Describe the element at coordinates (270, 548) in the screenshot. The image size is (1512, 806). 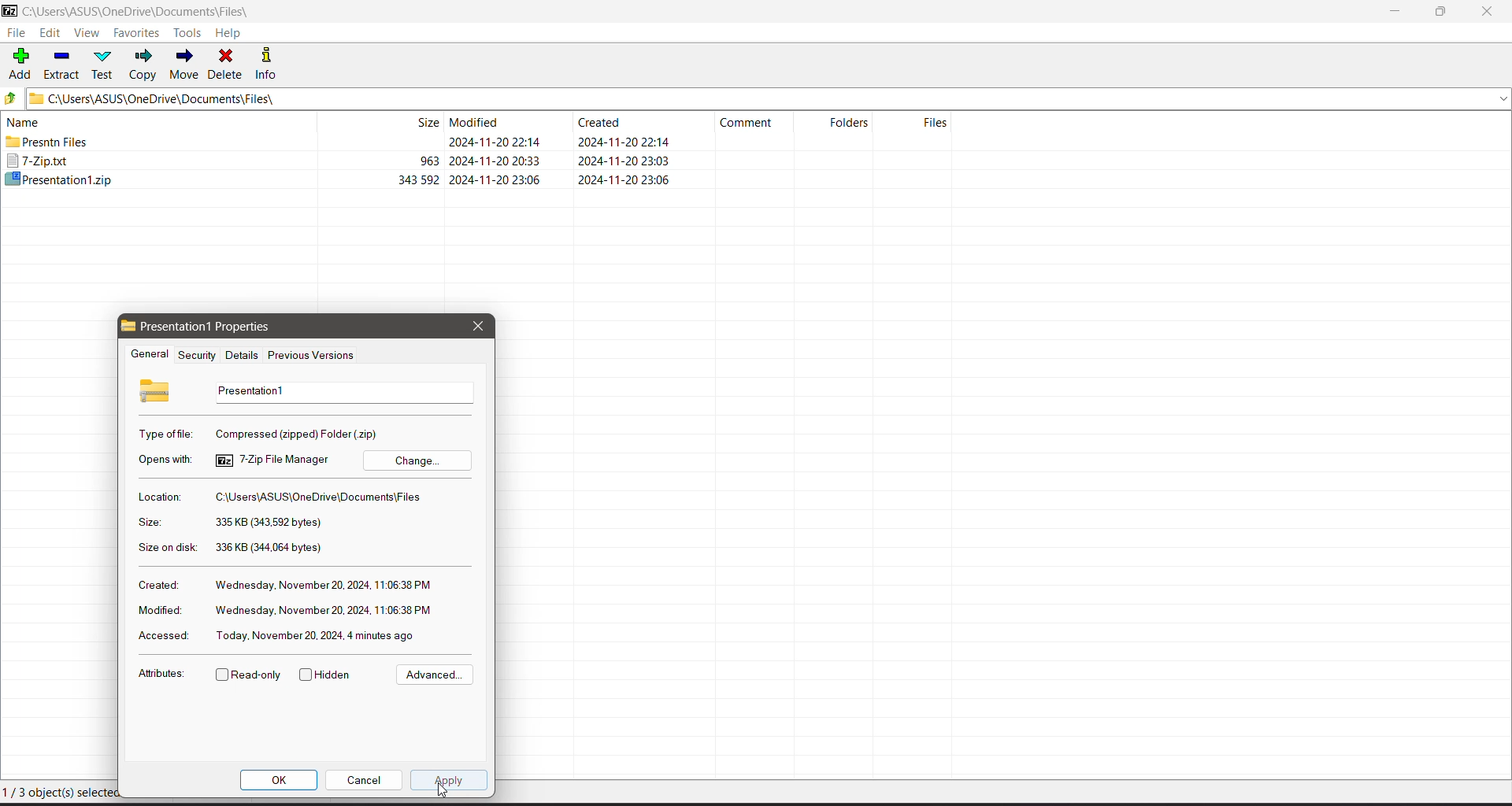
I see `Total size of the selected file` at that location.